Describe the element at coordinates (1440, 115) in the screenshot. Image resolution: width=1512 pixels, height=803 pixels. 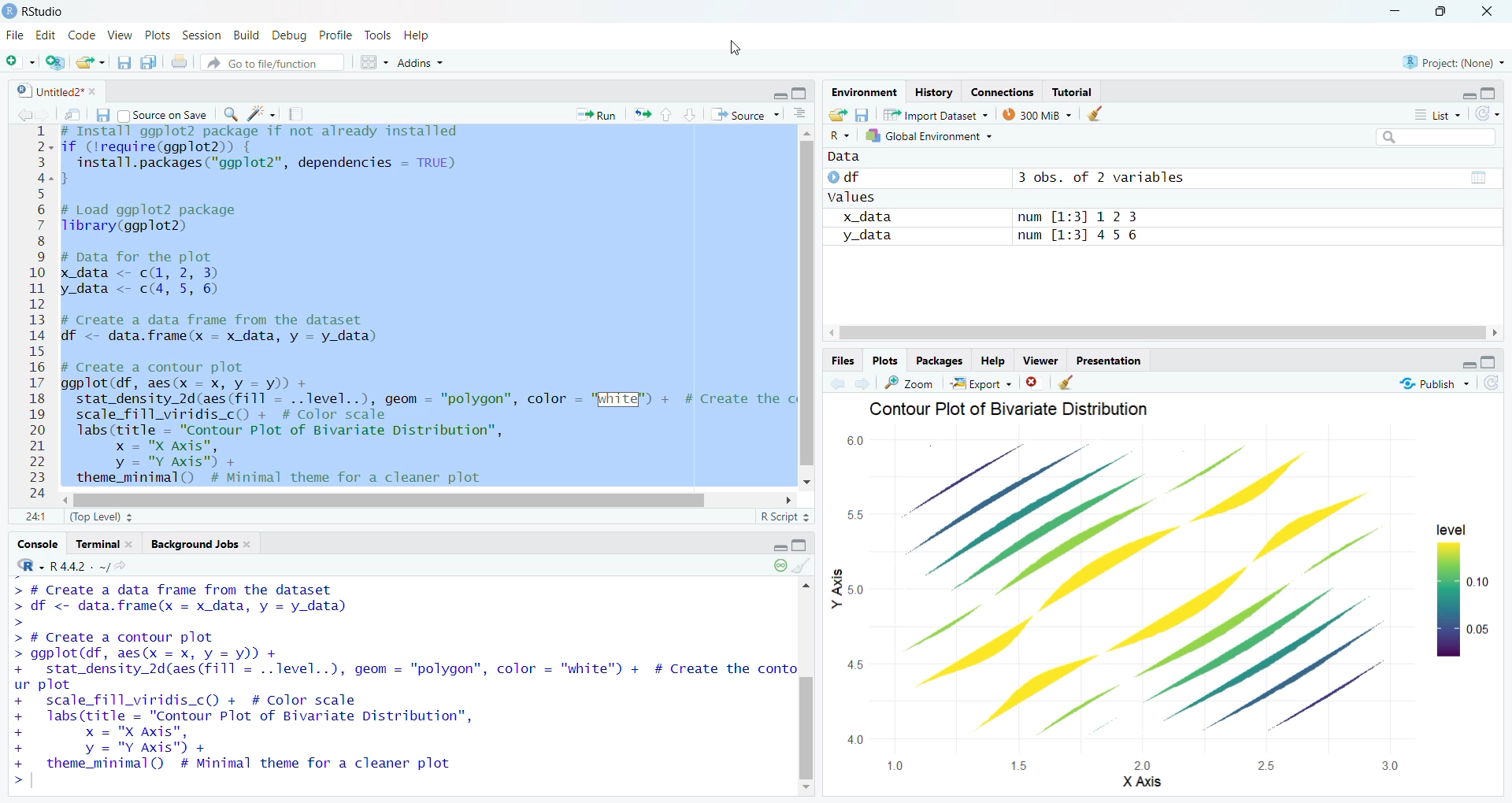
I see `List ` at that location.